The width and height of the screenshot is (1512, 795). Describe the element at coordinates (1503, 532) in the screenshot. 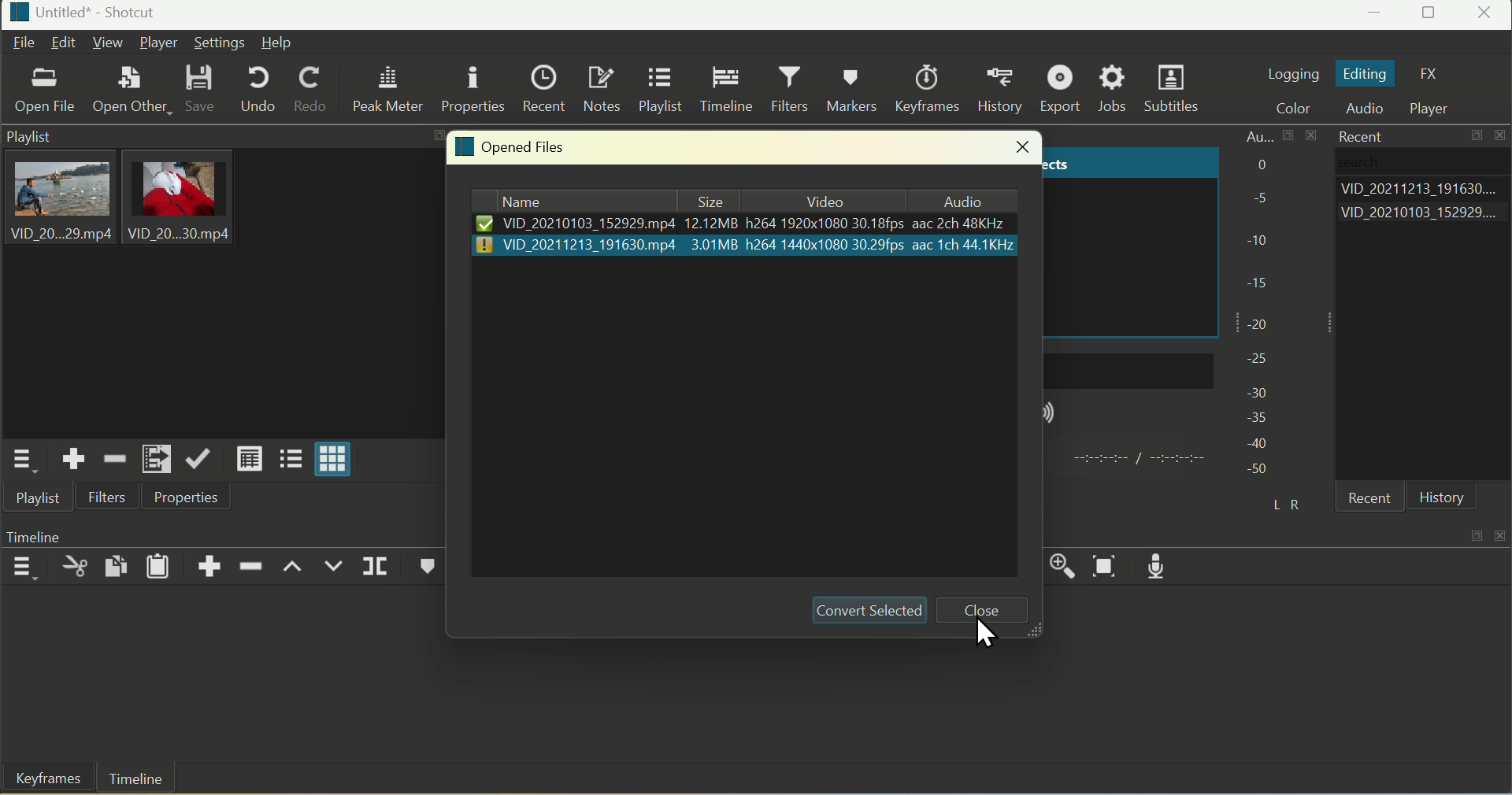

I see `close` at that location.